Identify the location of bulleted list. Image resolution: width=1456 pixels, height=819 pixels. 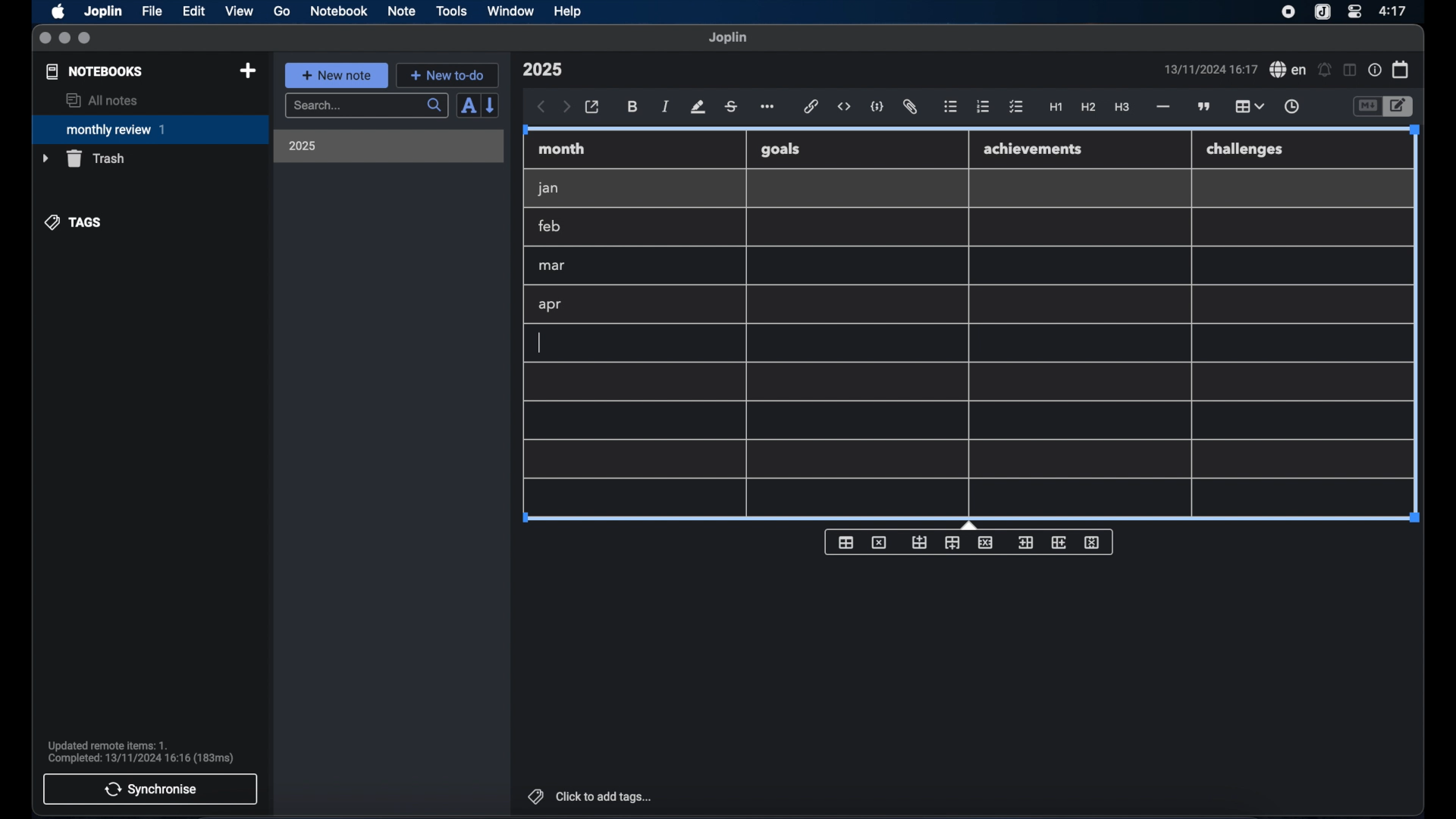
(950, 107).